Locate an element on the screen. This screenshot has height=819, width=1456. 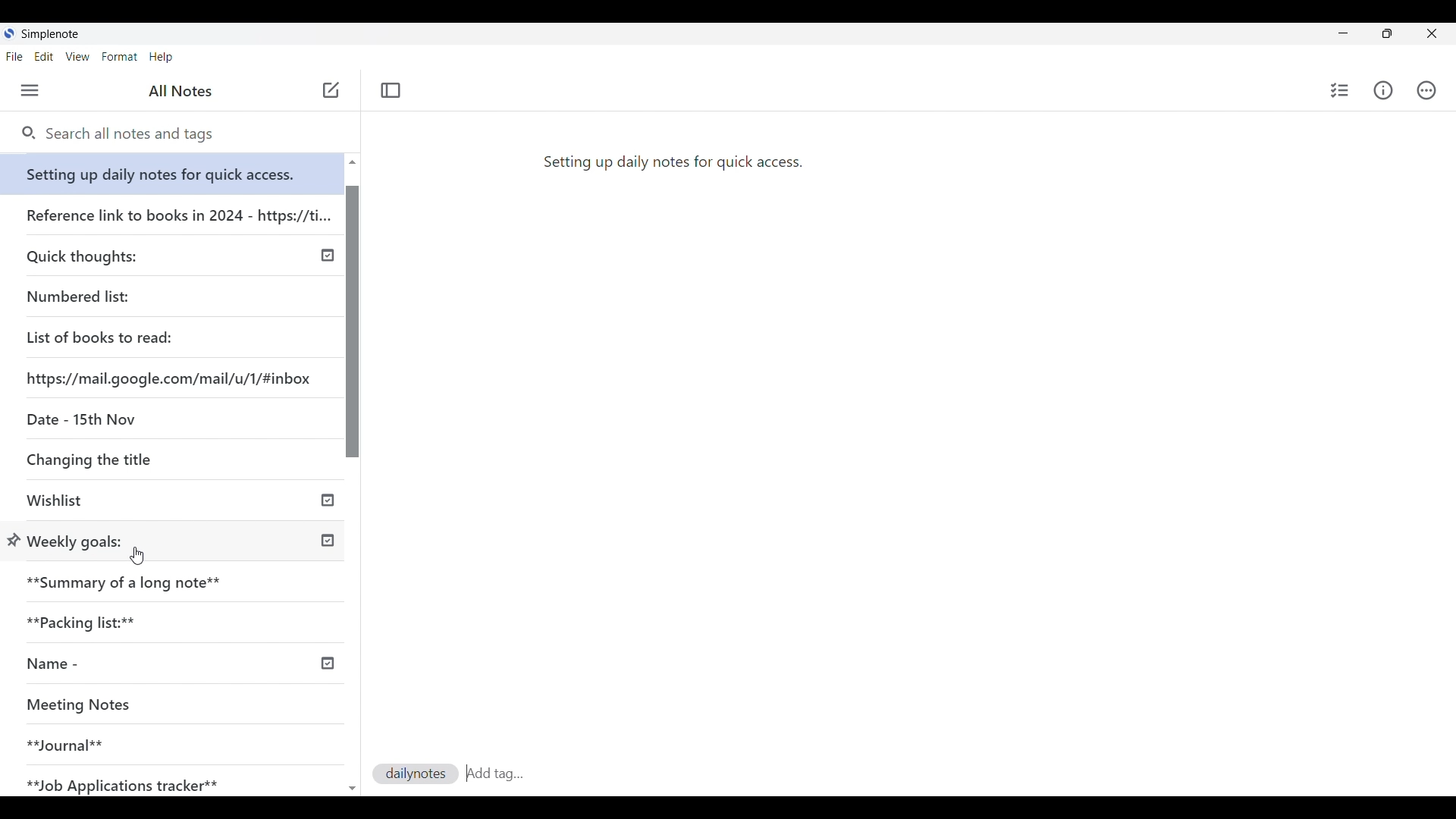
Quick thoughts is located at coordinates (124, 254).